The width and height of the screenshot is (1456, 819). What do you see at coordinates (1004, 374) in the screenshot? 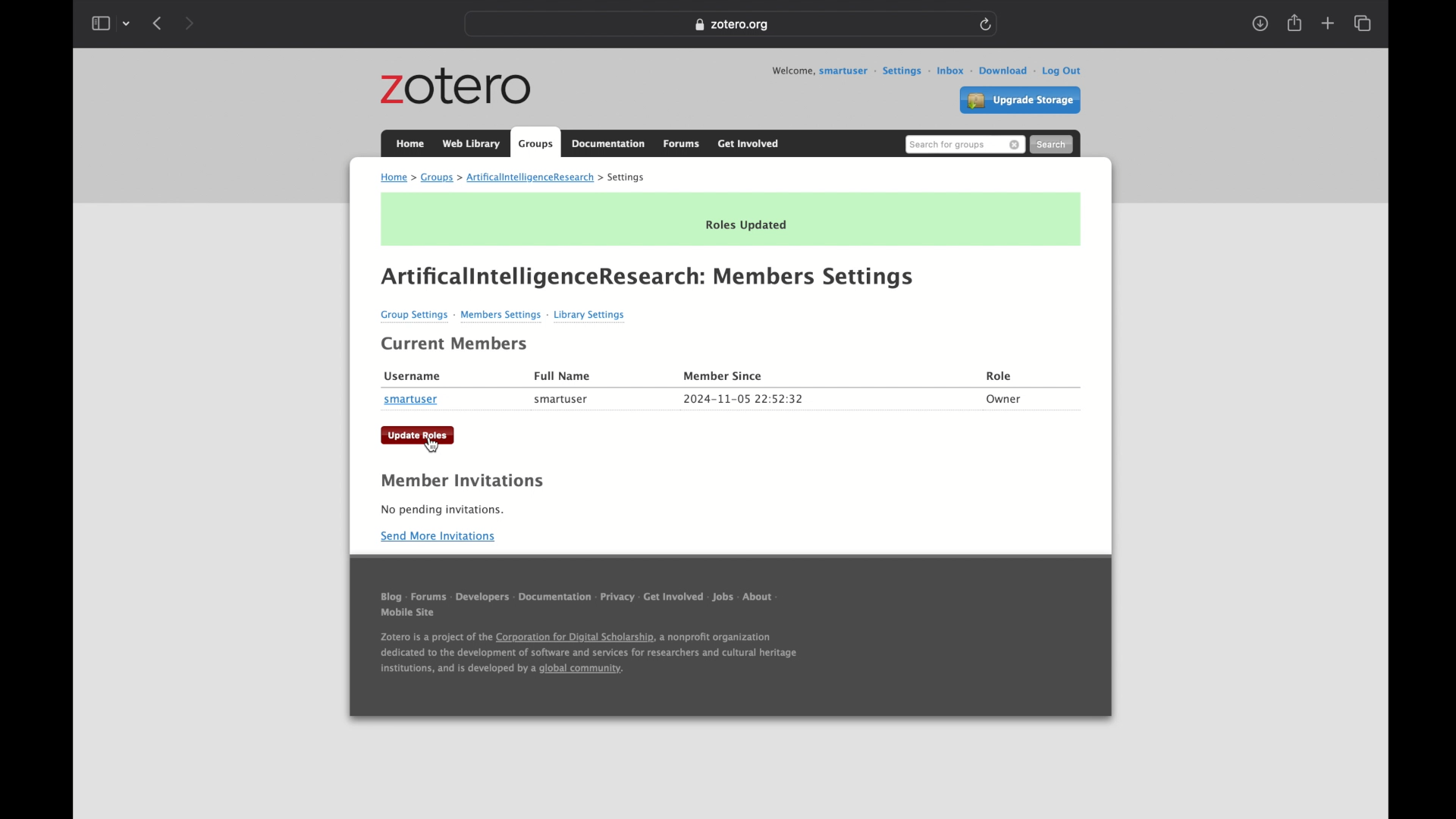
I see `Role` at bounding box center [1004, 374].